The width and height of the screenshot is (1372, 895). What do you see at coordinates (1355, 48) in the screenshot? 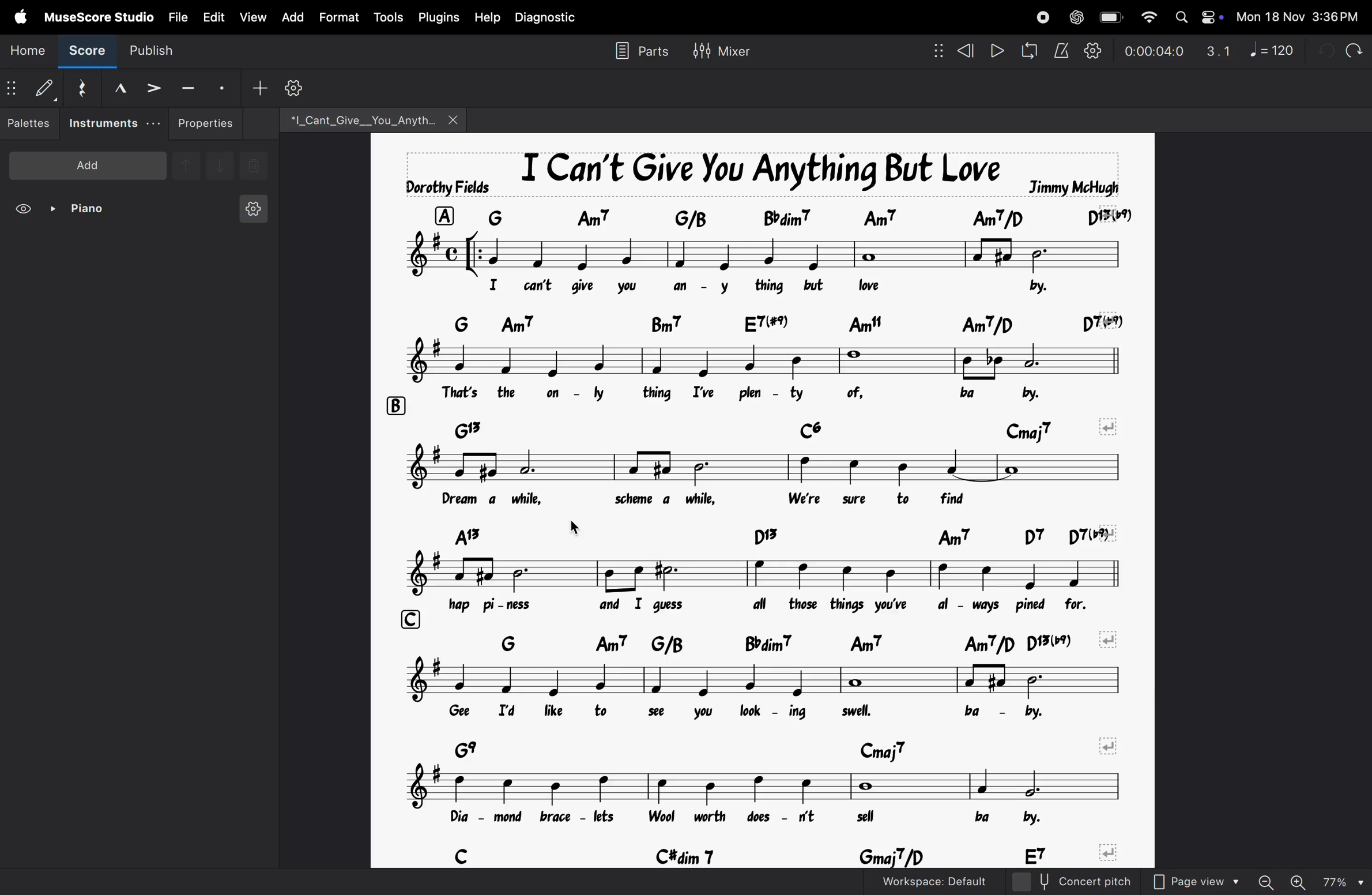
I see `redo` at bounding box center [1355, 48].